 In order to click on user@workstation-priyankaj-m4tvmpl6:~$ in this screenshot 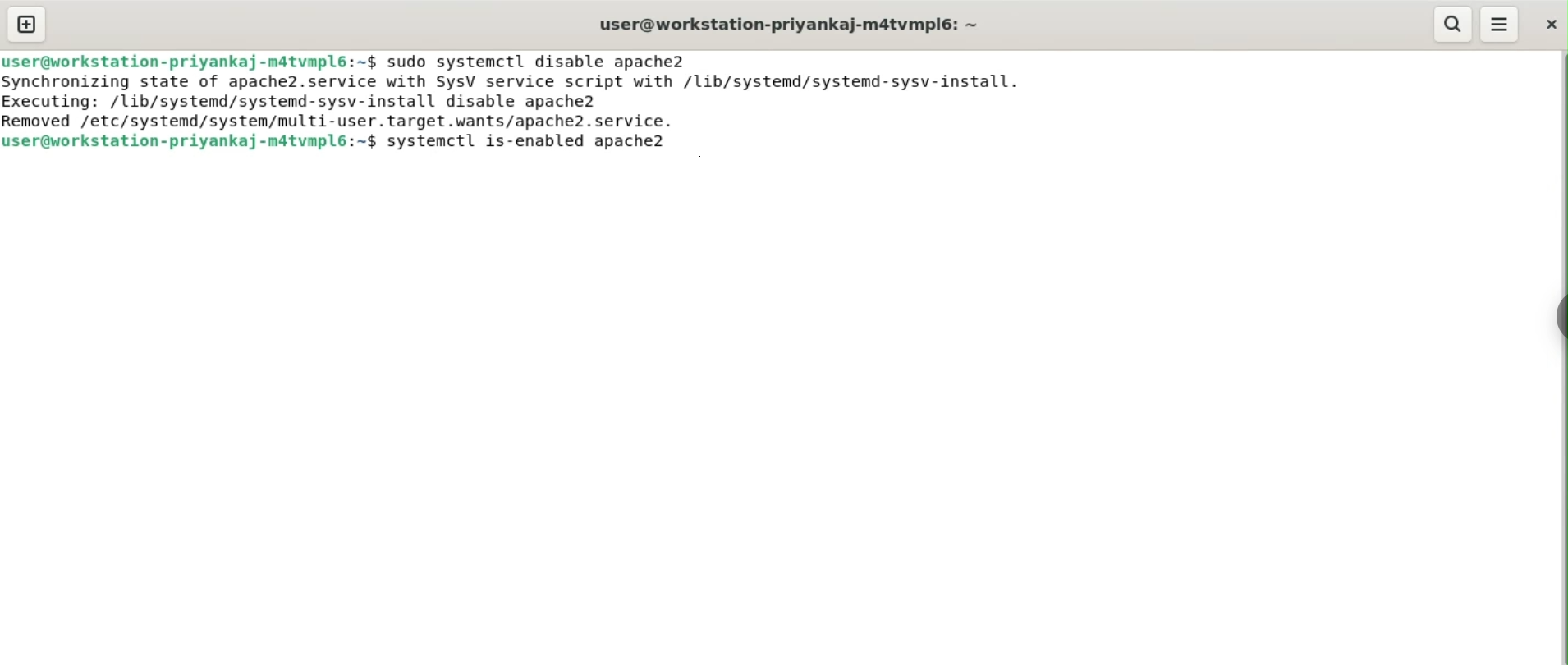, I will do `click(190, 60)`.